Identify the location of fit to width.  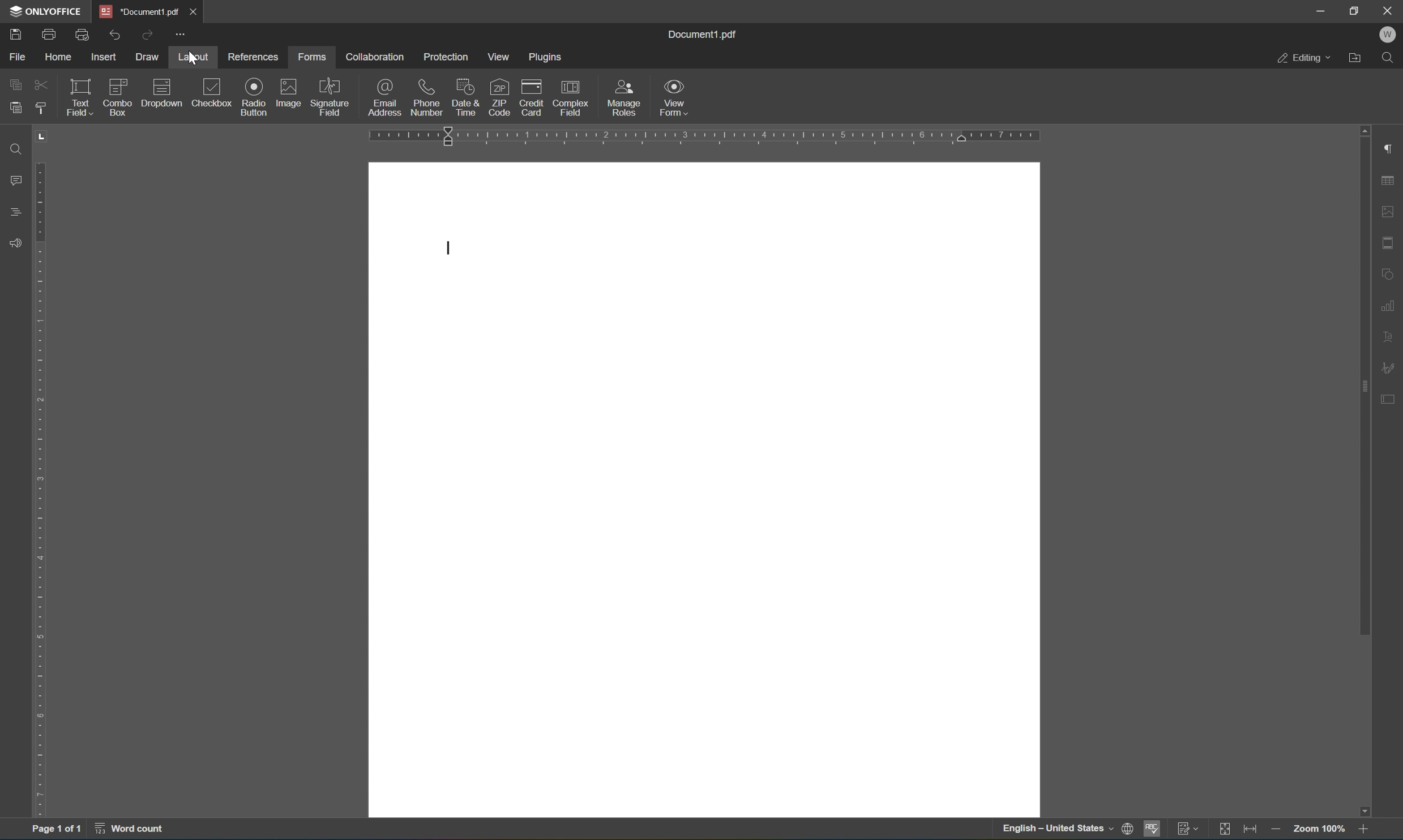
(1254, 830).